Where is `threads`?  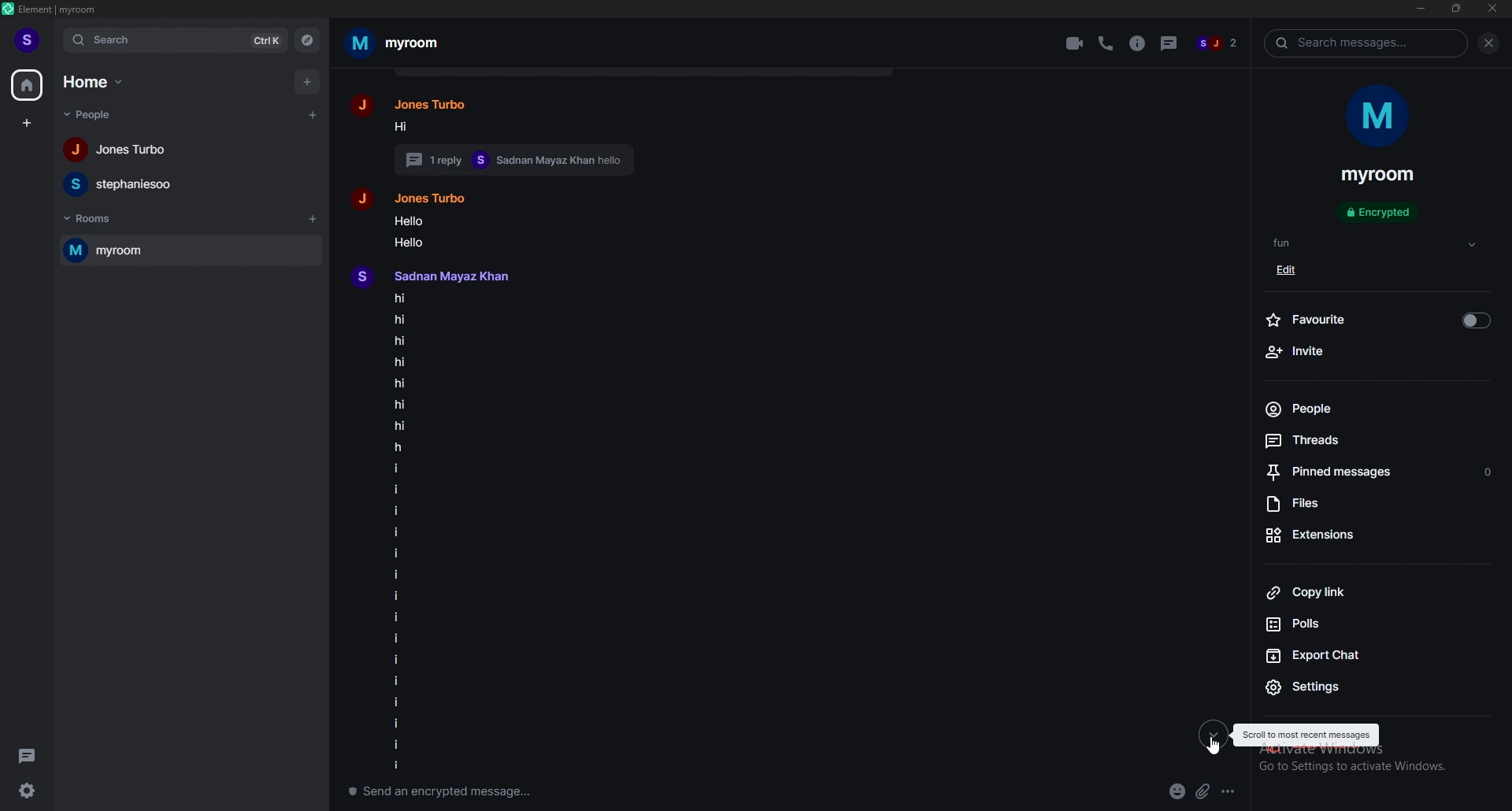
threads is located at coordinates (1343, 441).